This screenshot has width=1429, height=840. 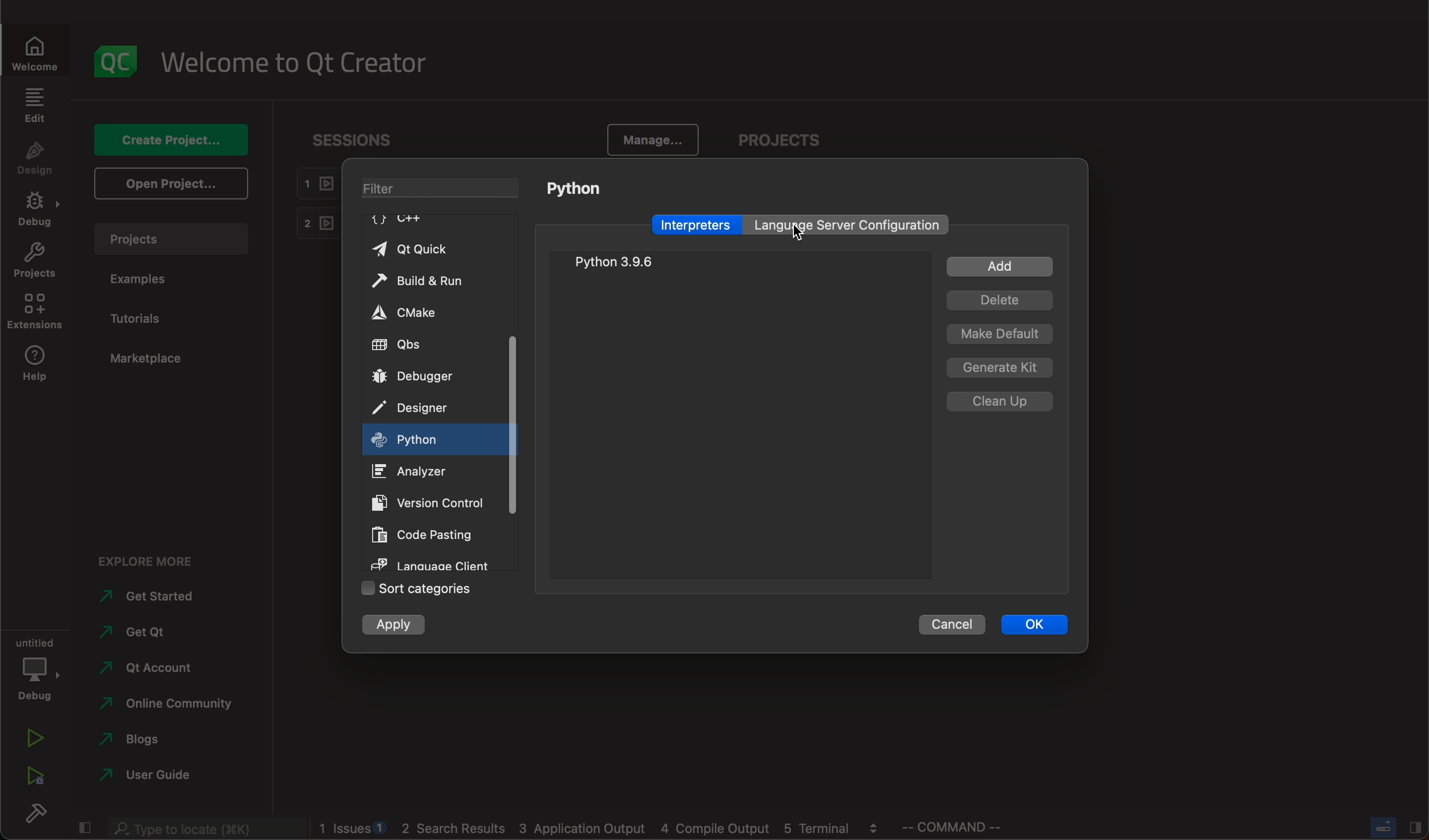 I want to click on cancel, so click(x=949, y=623).